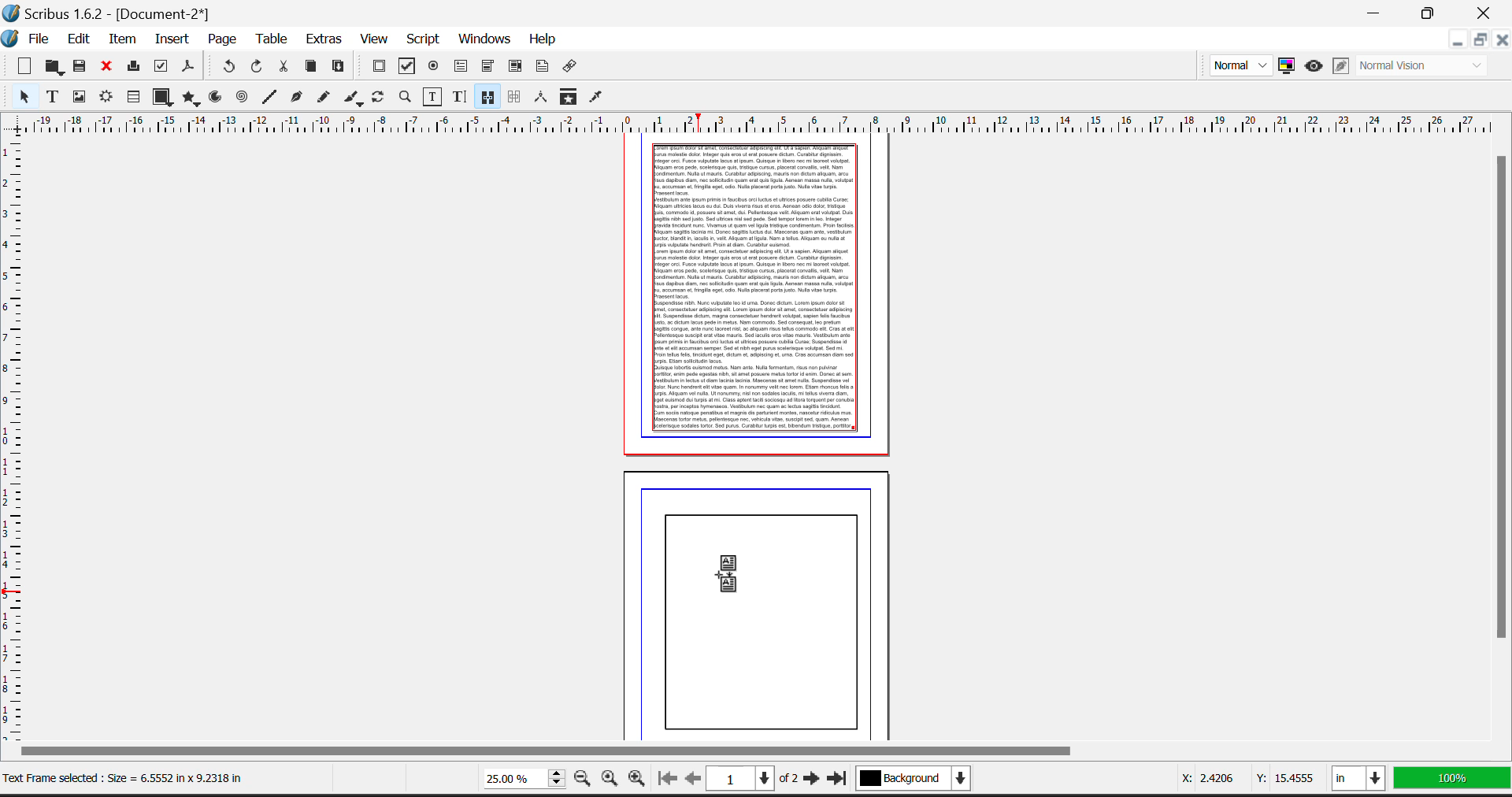  Describe the element at coordinates (353, 98) in the screenshot. I see `Calligraphic Tool` at that location.